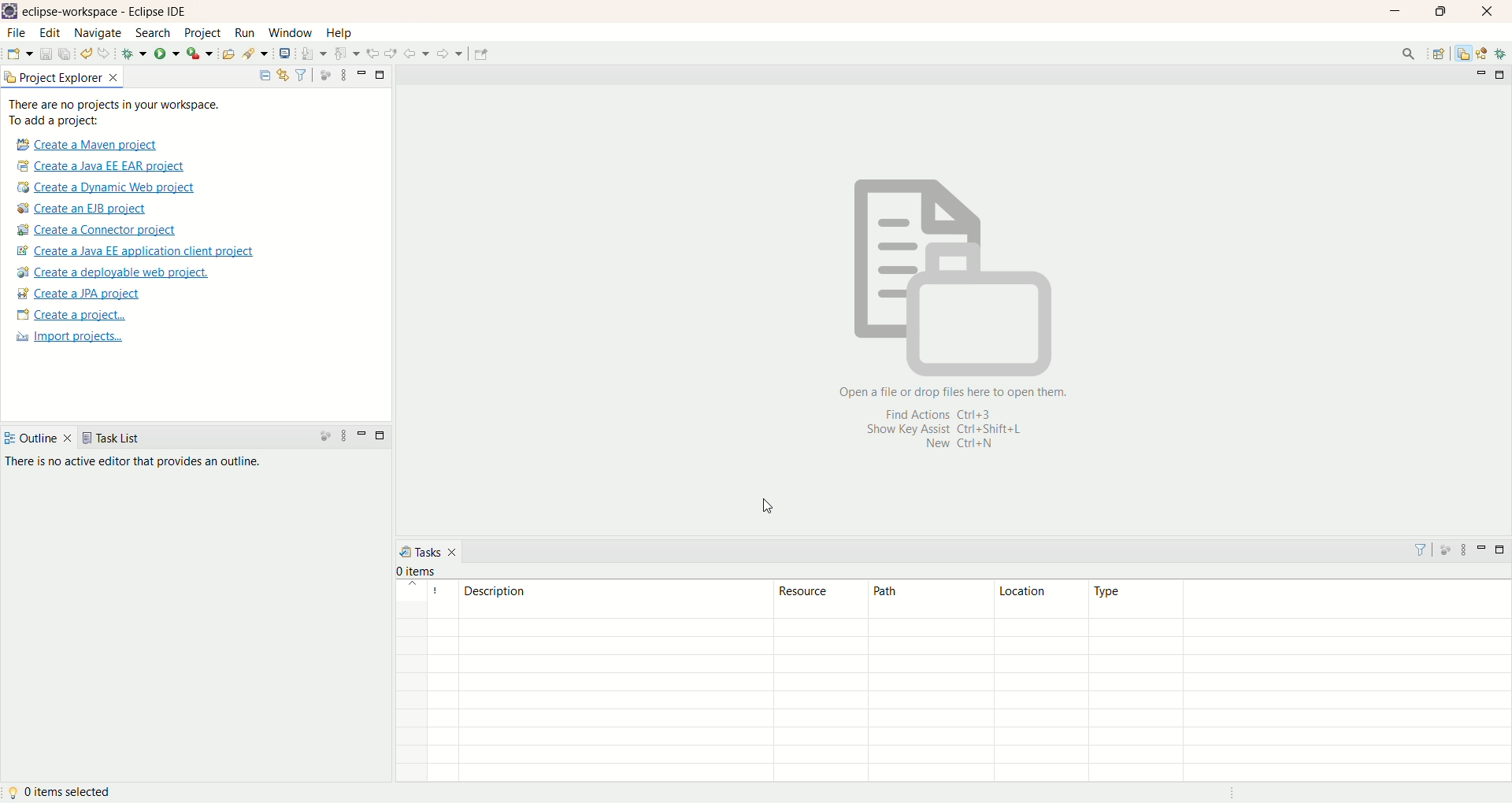  I want to click on previous annotation, so click(346, 53).